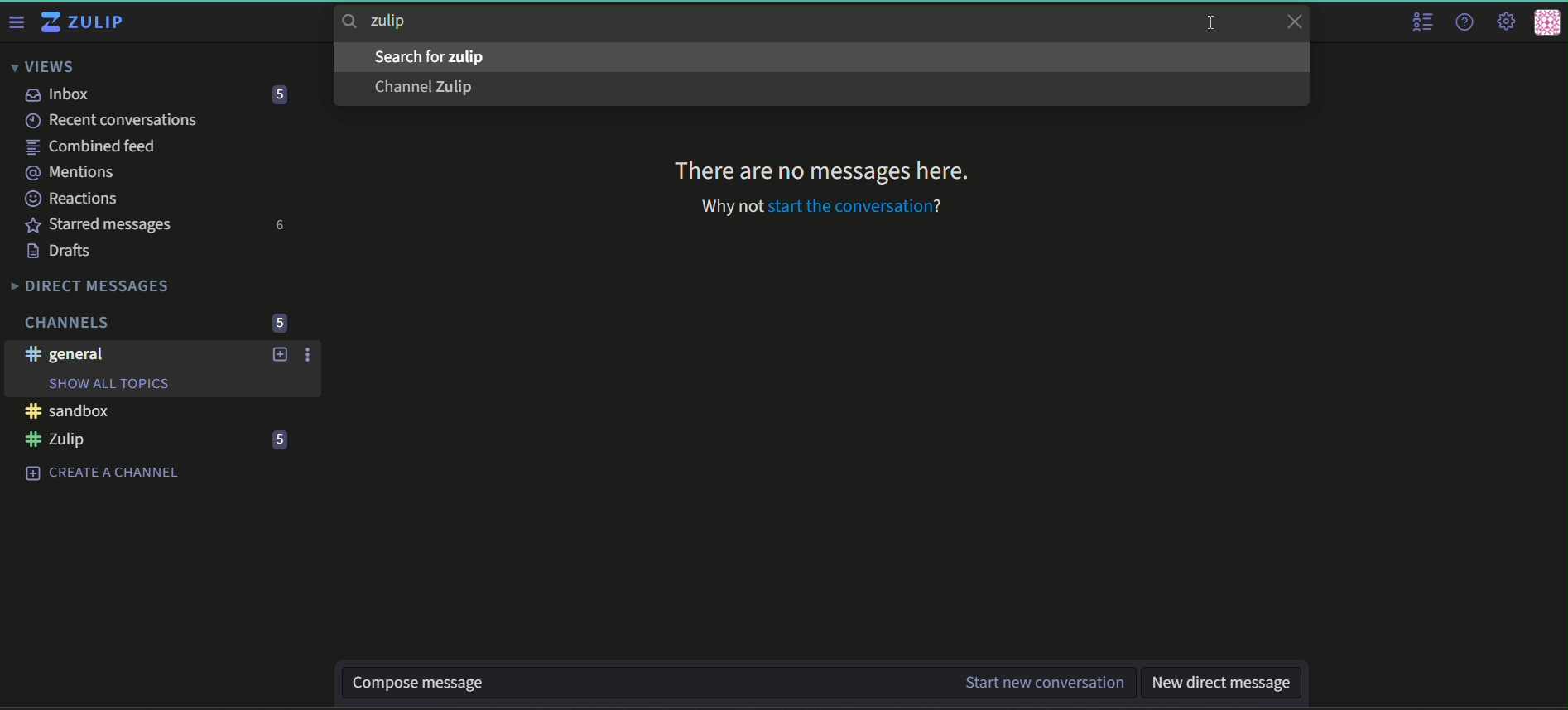 The height and width of the screenshot is (710, 1568). Describe the element at coordinates (430, 60) in the screenshot. I see `text` at that location.